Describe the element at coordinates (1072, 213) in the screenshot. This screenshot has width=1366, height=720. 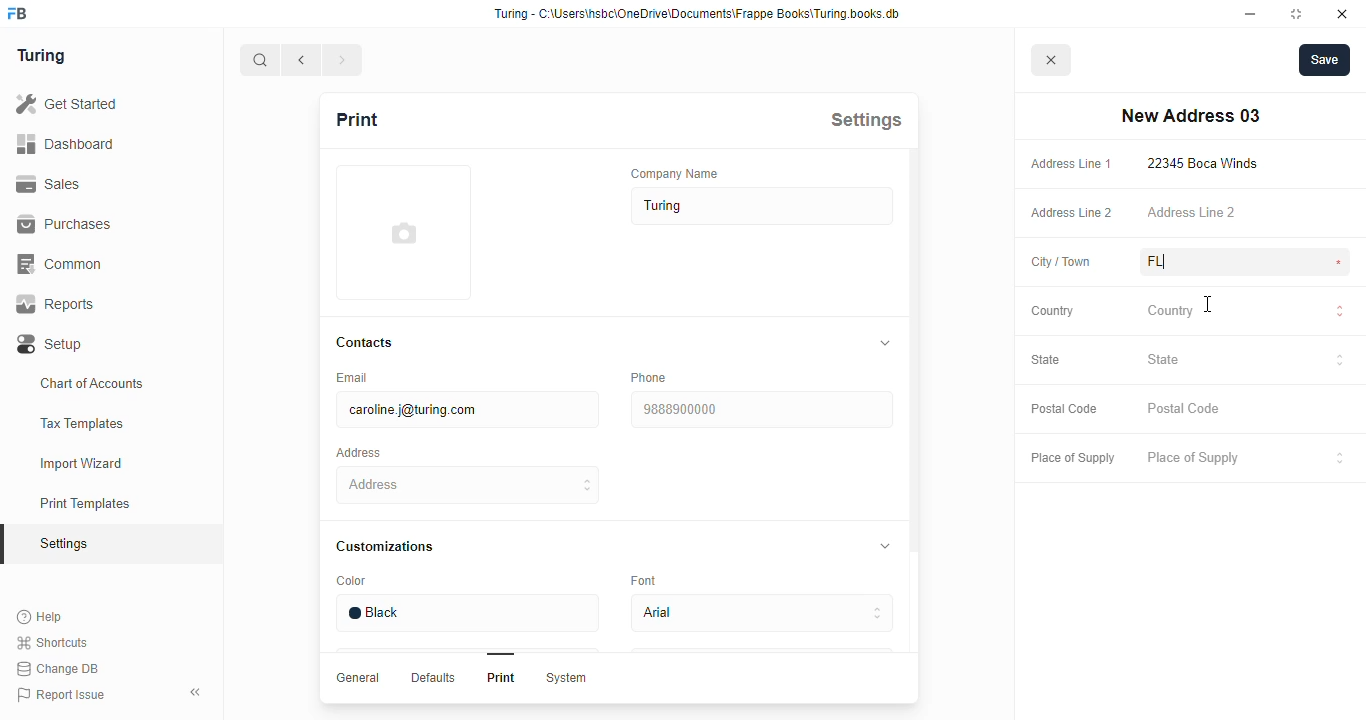
I see `address line 2` at that location.